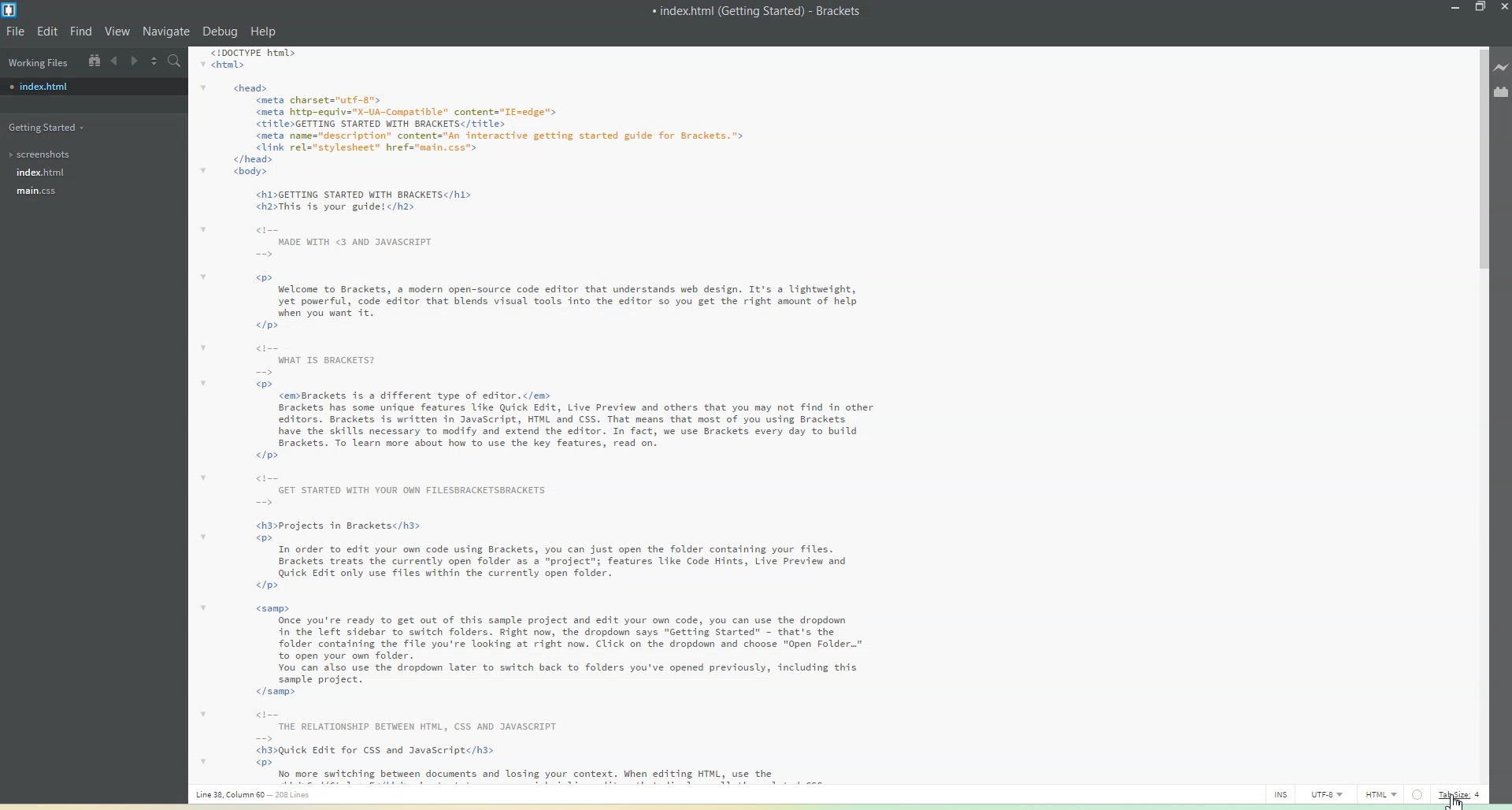 The height and width of the screenshot is (810, 1512). Describe the element at coordinates (578, 416) in the screenshot. I see `Getting Started With Brackets HTML CODE` at that location.